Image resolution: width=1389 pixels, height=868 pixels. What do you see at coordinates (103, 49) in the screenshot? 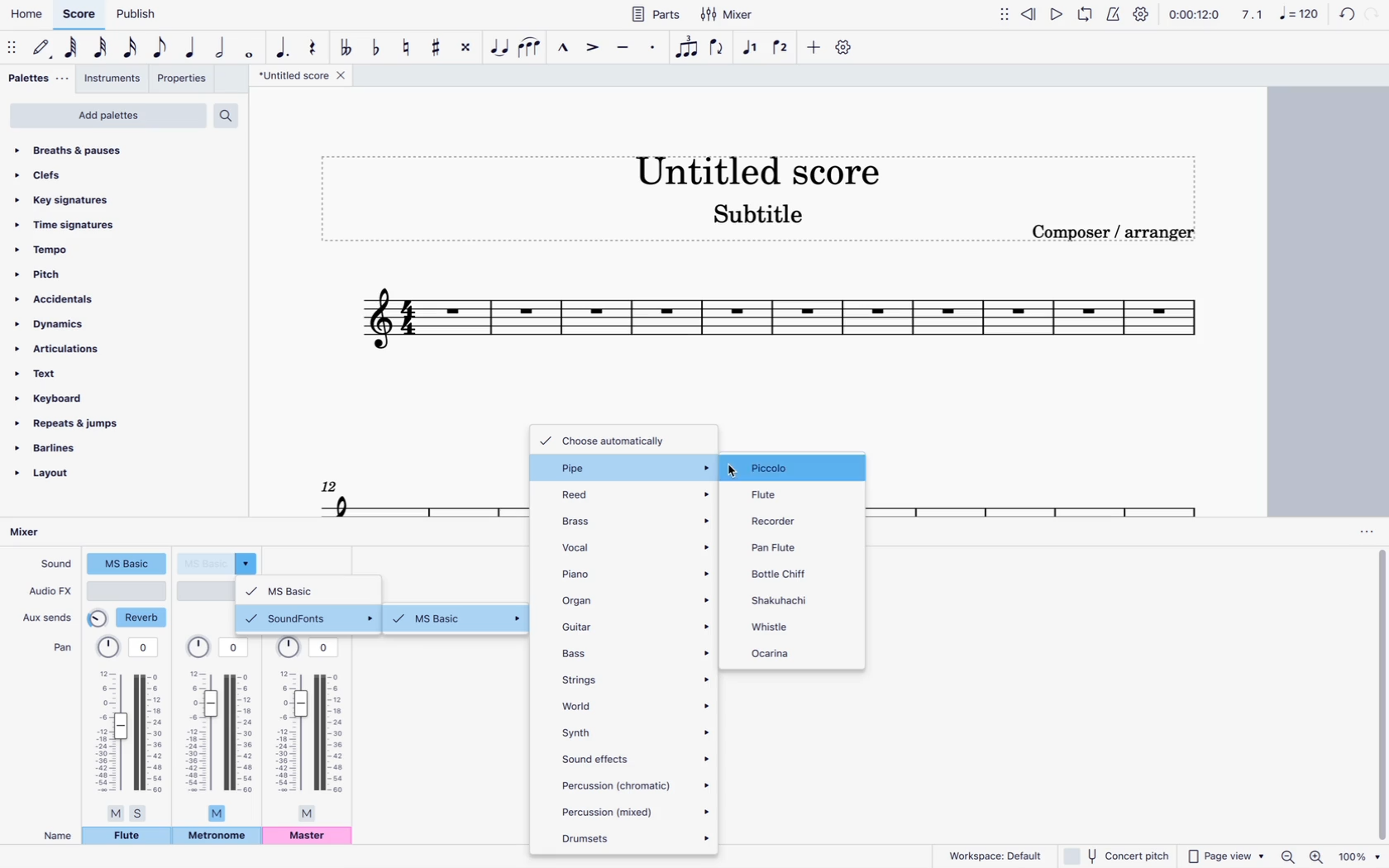
I see `32nd note` at bounding box center [103, 49].